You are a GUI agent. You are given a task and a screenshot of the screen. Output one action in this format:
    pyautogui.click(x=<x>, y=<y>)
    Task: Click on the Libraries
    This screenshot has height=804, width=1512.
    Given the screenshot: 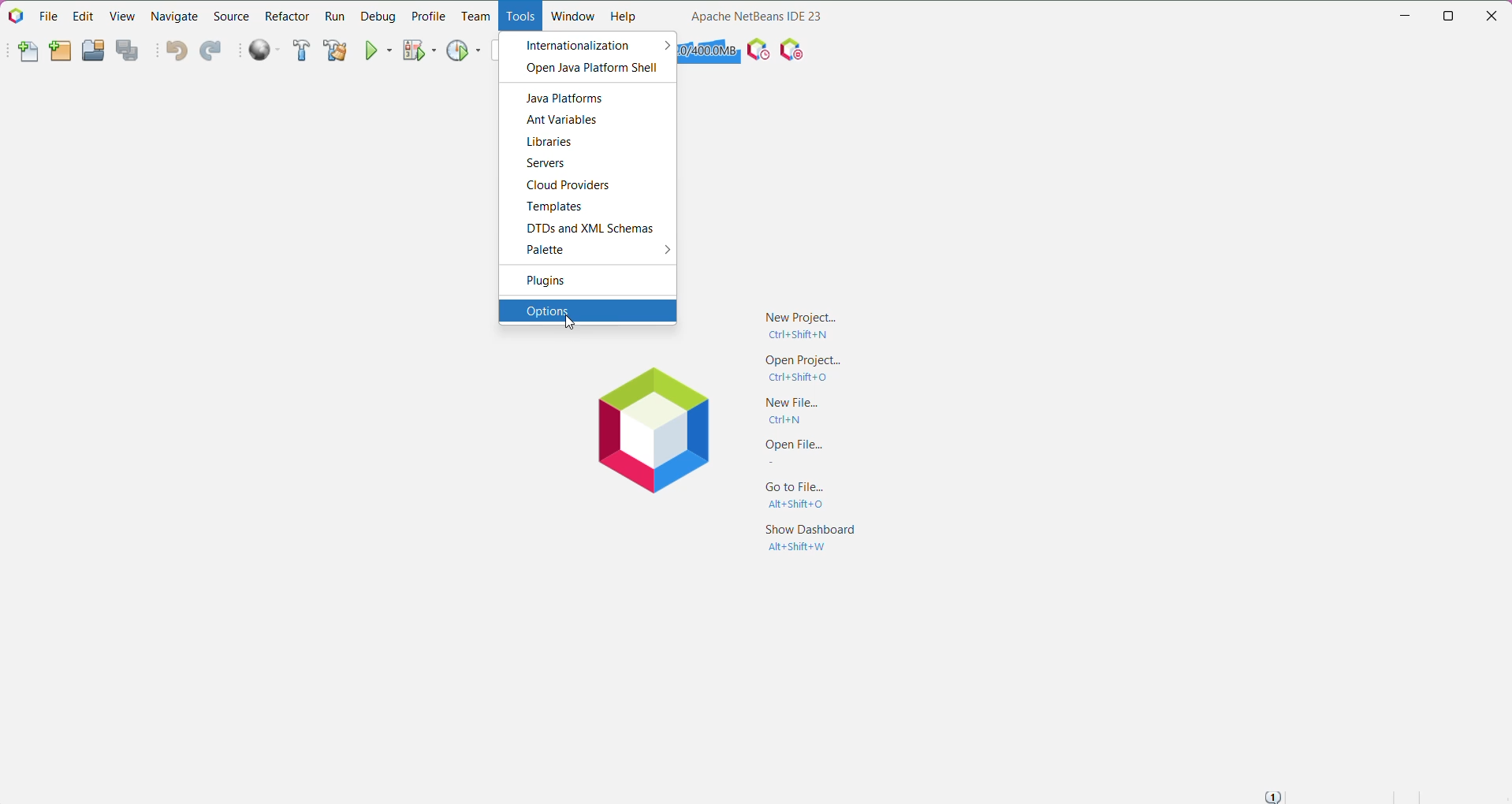 What is the action you would take?
    pyautogui.click(x=553, y=143)
    